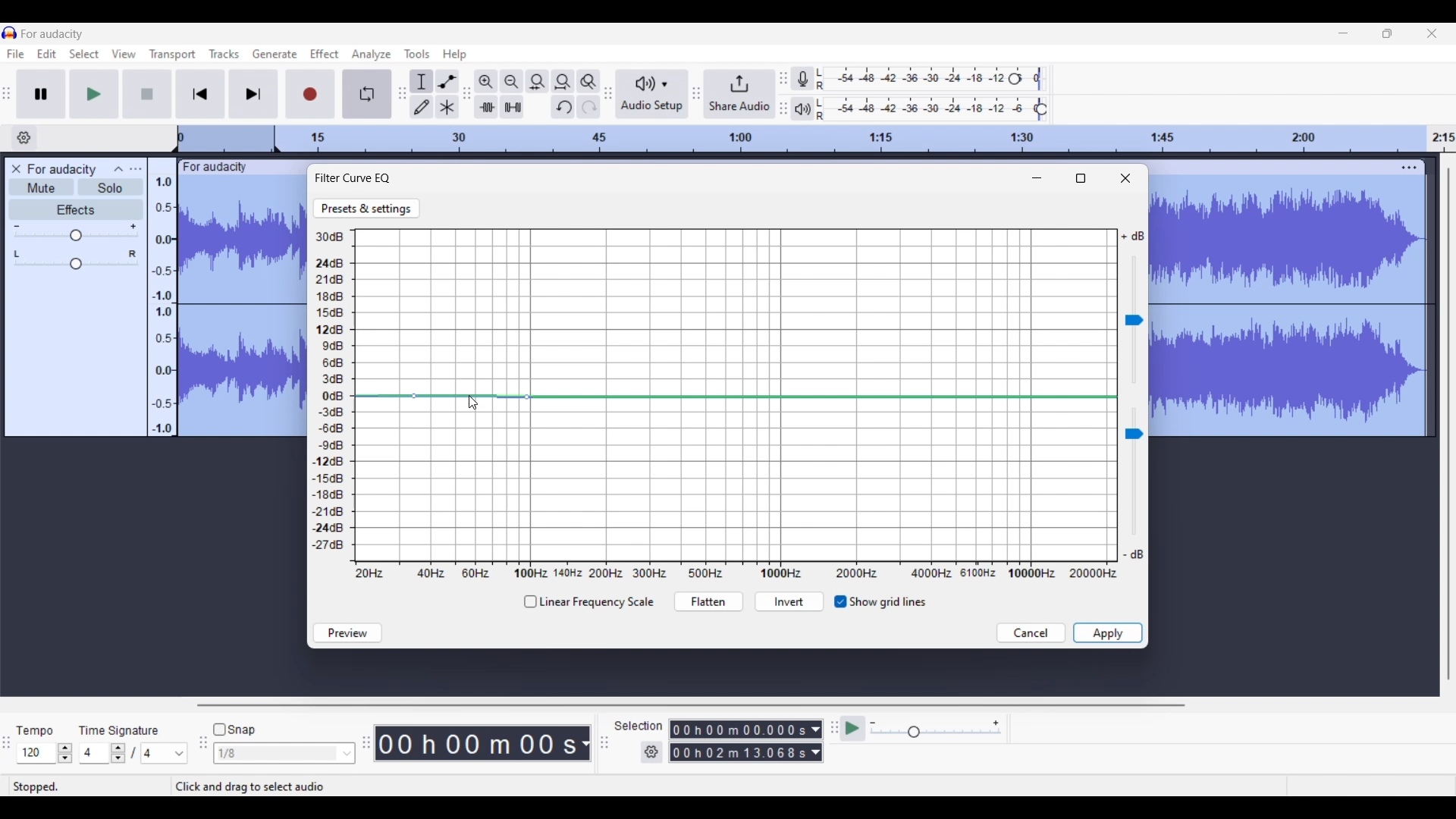  I want to click on Tempo, so click(36, 729).